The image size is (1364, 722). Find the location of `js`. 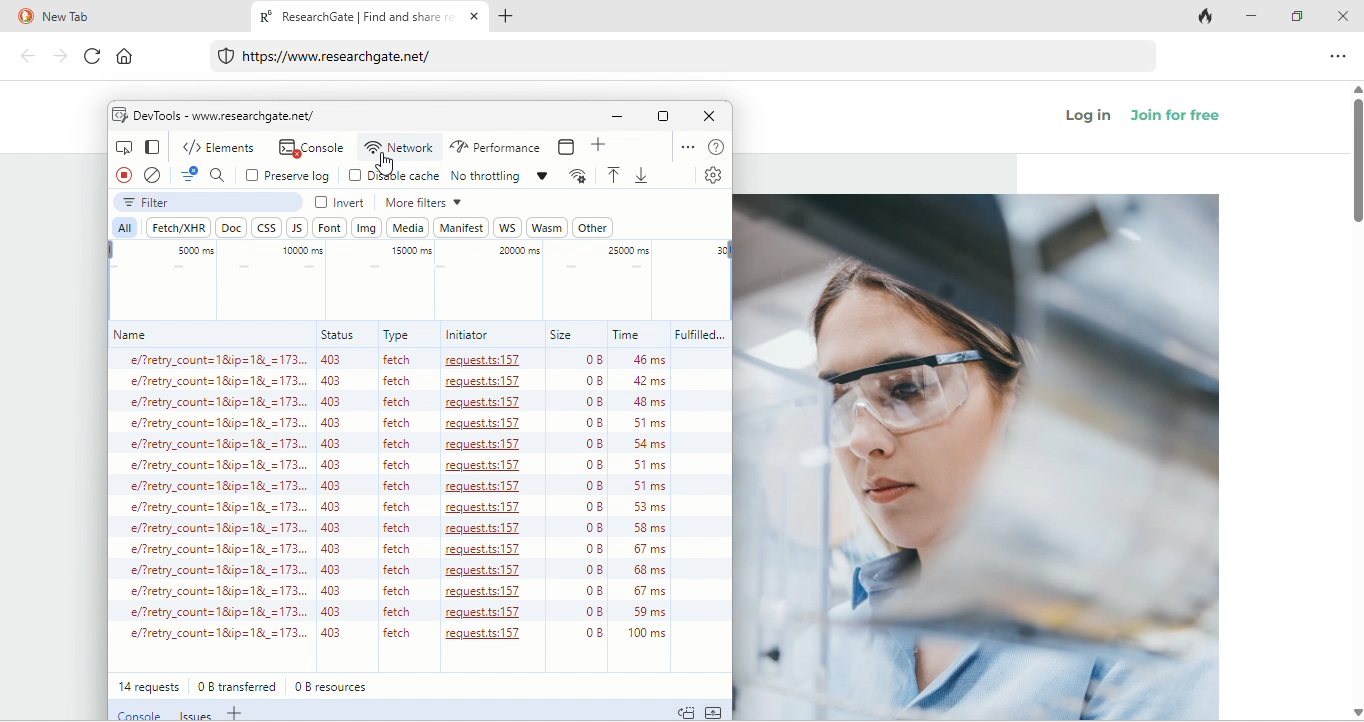

js is located at coordinates (299, 228).